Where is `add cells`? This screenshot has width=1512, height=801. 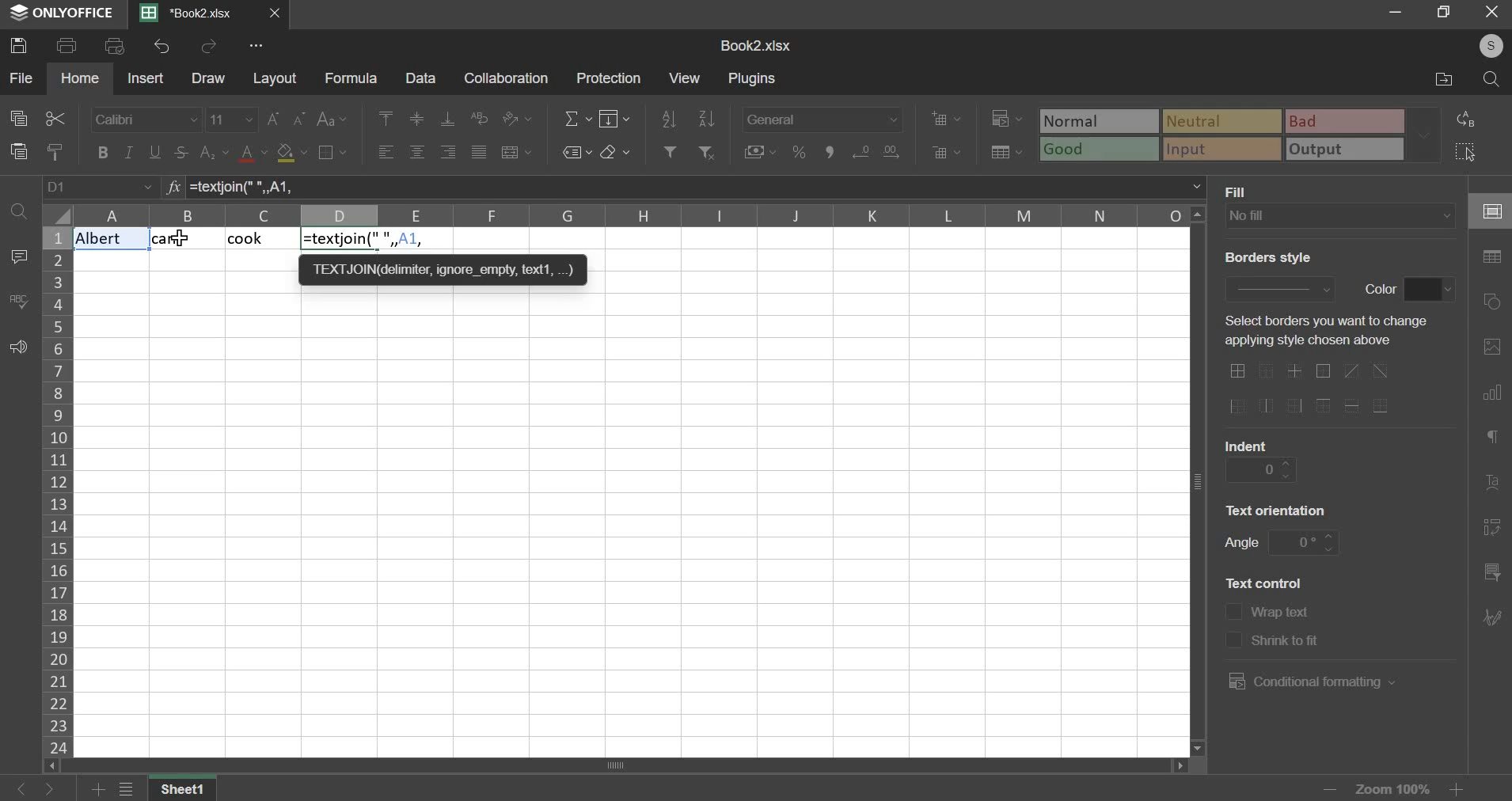
add cells is located at coordinates (946, 118).